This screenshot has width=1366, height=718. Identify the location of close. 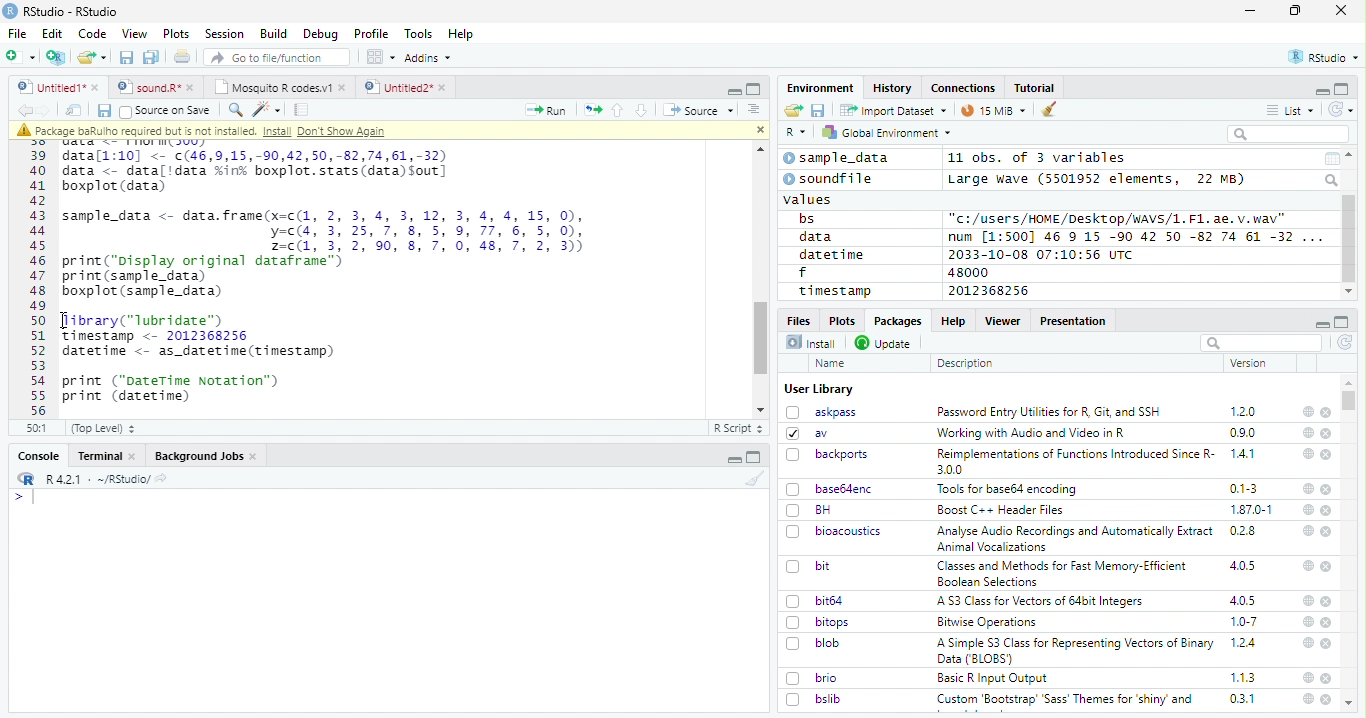
(757, 128).